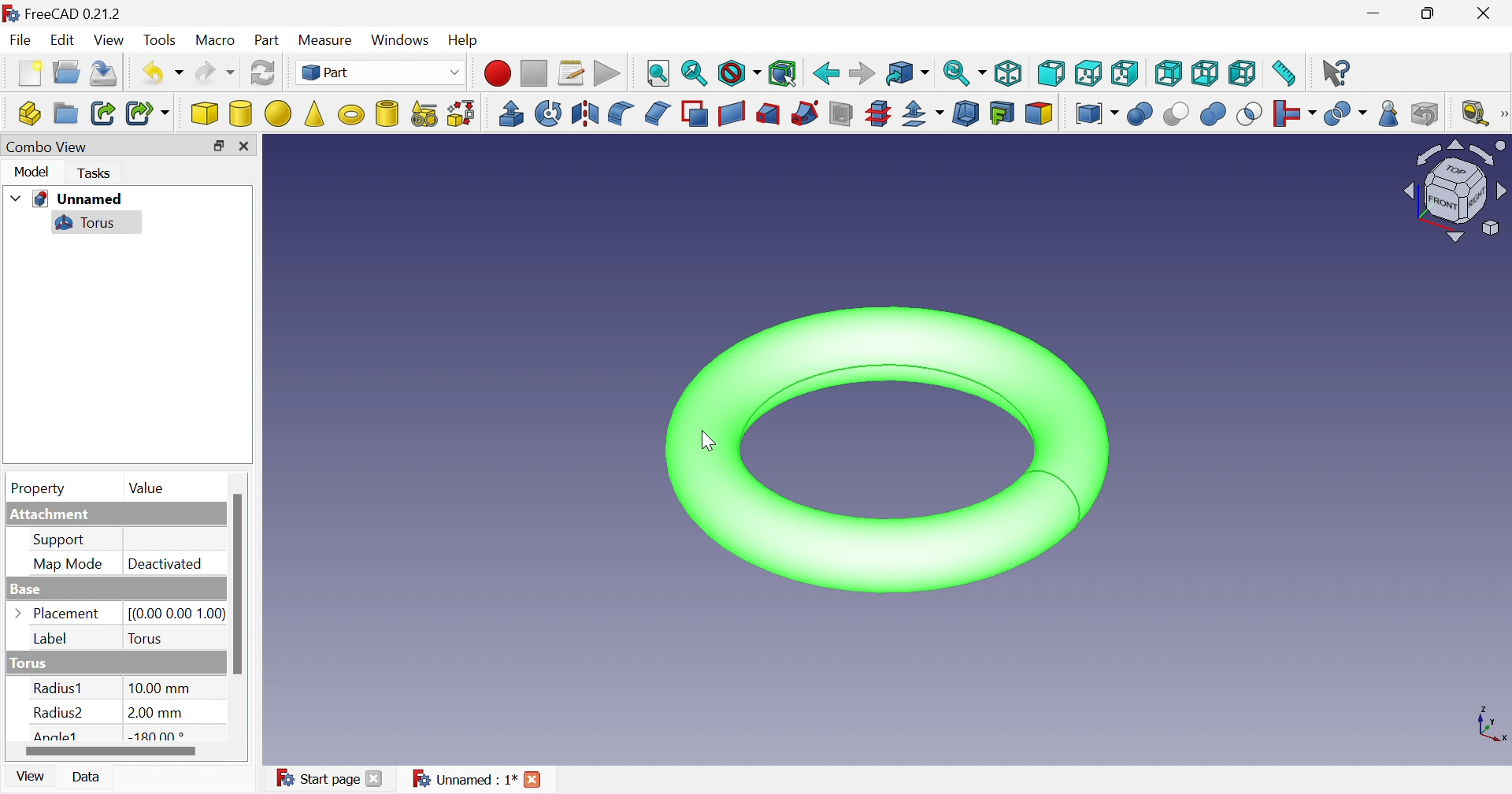  Describe the element at coordinates (146, 637) in the screenshot. I see `Torus` at that location.